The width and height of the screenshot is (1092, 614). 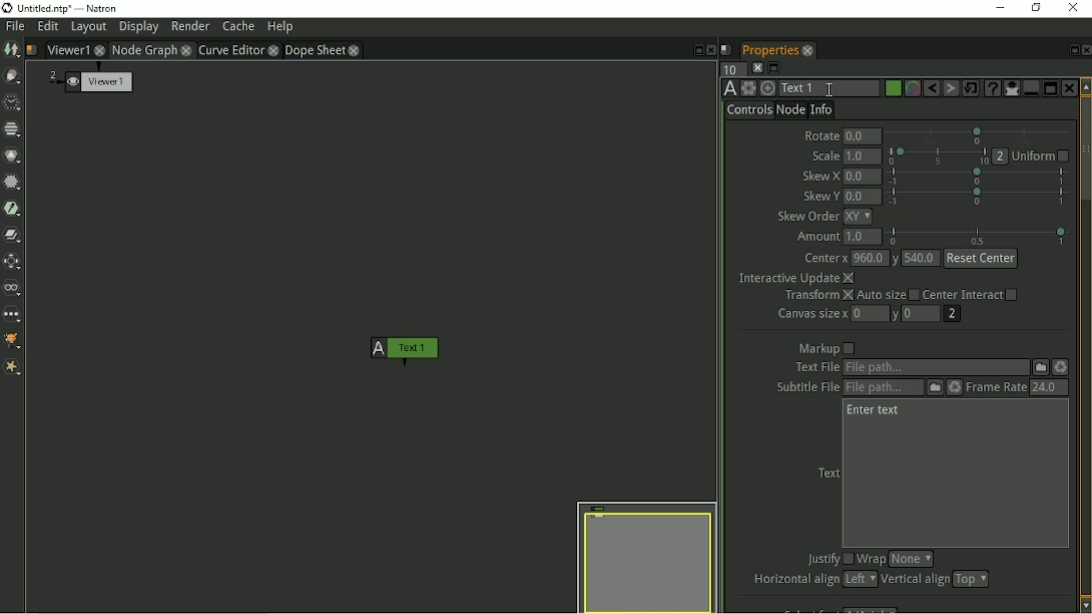 What do you see at coordinates (274, 50) in the screenshot?
I see `close` at bounding box center [274, 50].